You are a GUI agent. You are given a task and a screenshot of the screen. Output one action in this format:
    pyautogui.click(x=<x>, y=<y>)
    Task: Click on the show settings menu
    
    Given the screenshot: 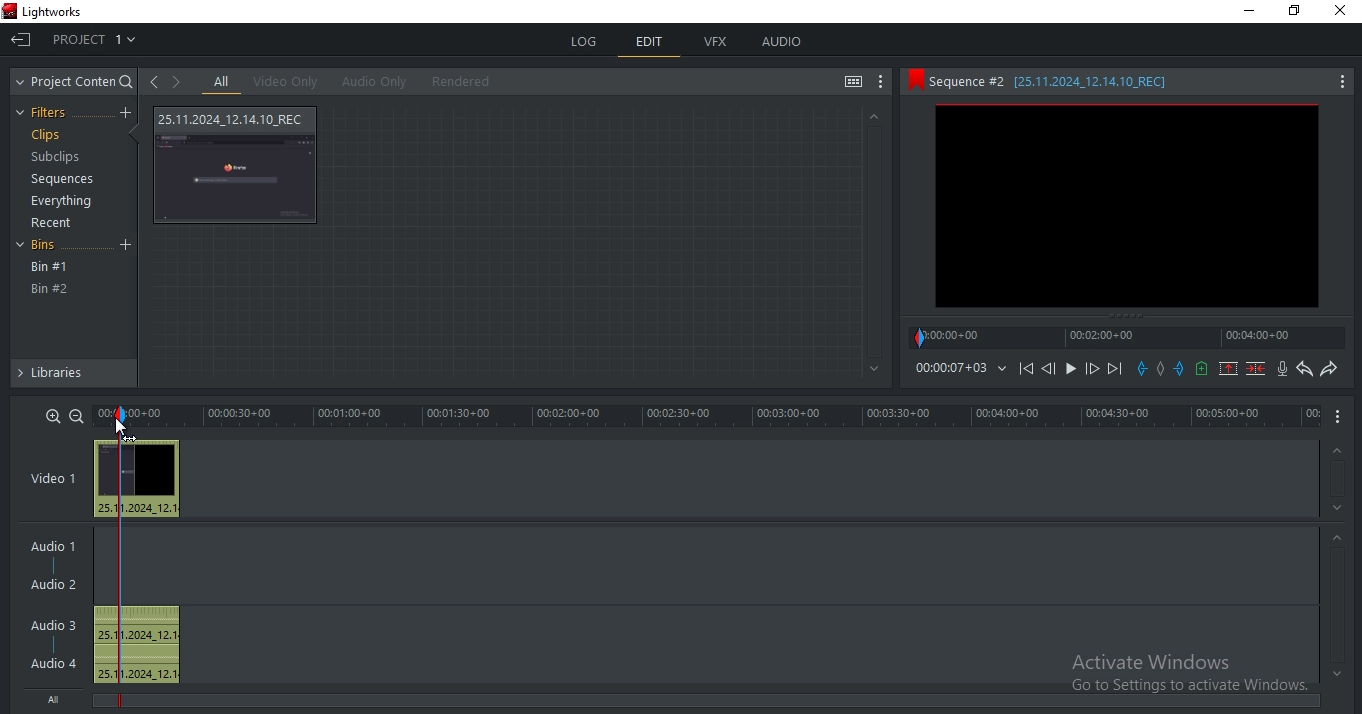 What is the action you would take?
    pyautogui.click(x=882, y=84)
    